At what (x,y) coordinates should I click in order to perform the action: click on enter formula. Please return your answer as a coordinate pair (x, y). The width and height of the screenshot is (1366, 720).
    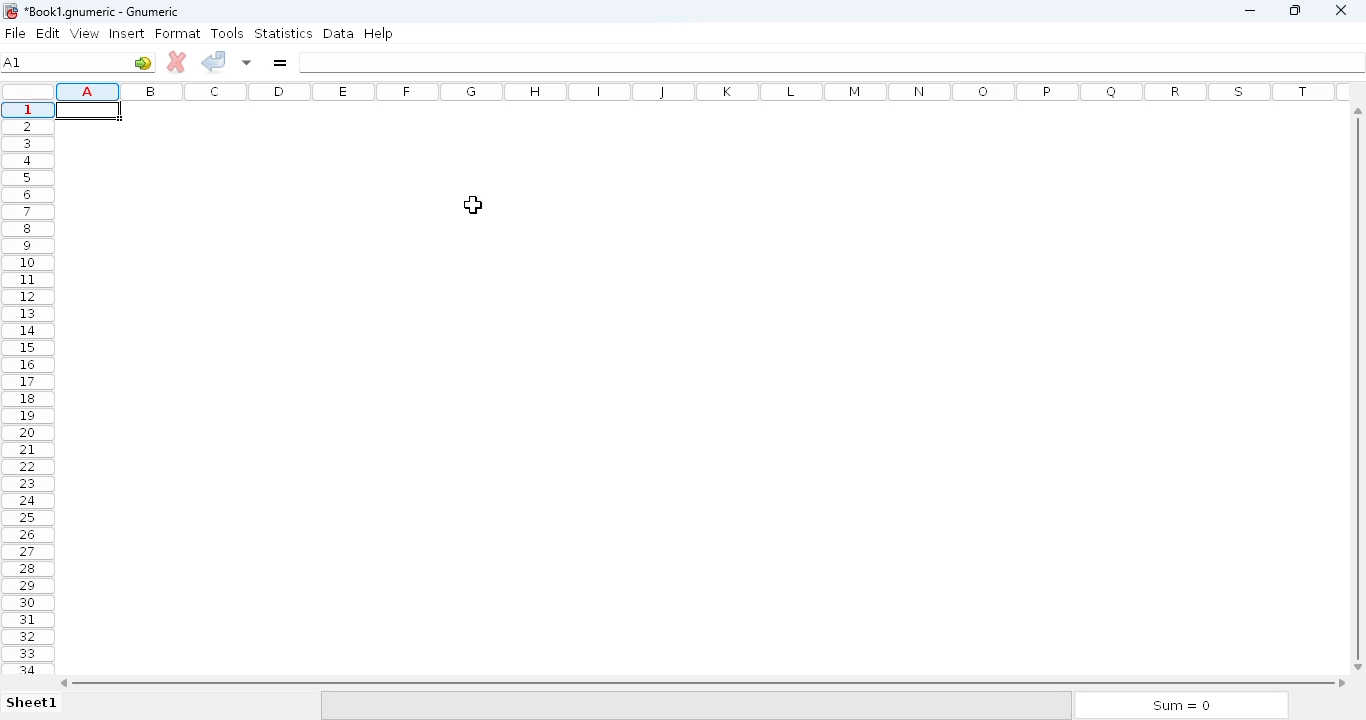
    Looking at the image, I should click on (279, 63).